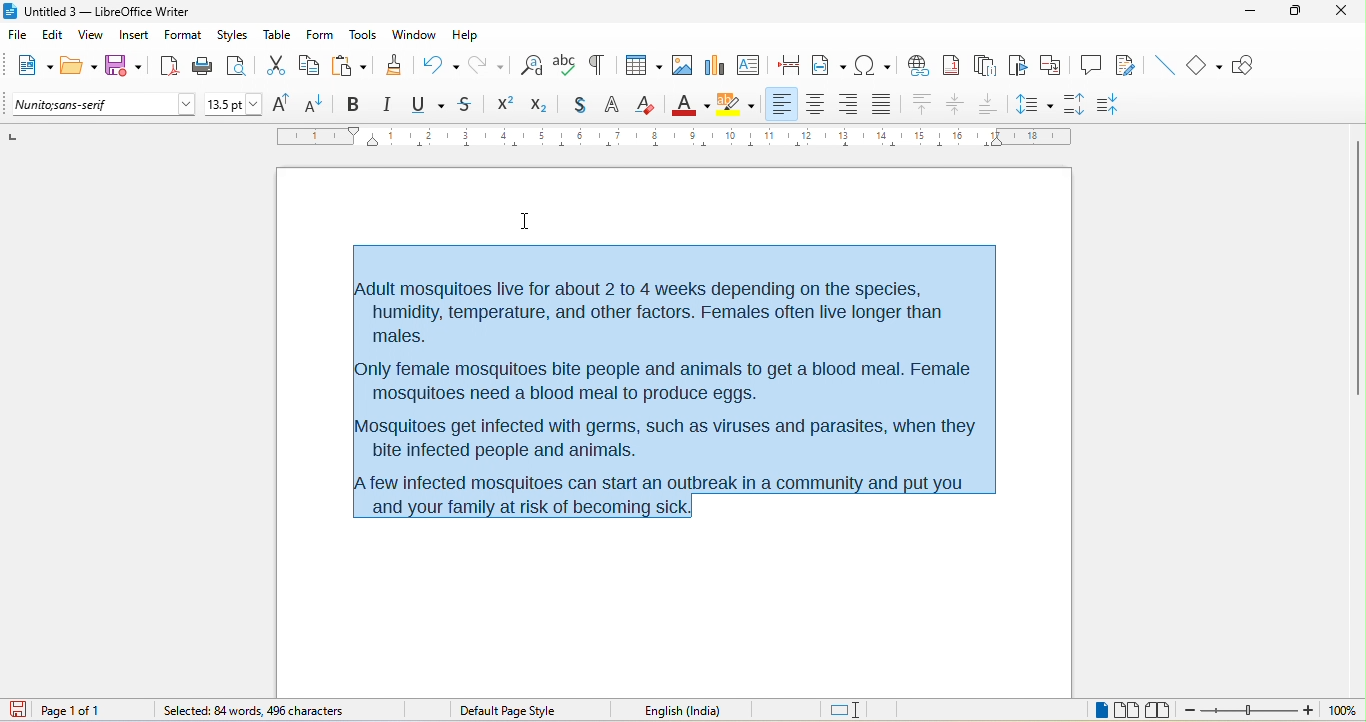 This screenshot has height=722, width=1366. What do you see at coordinates (505, 104) in the screenshot?
I see `superscript` at bounding box center [505, 104].